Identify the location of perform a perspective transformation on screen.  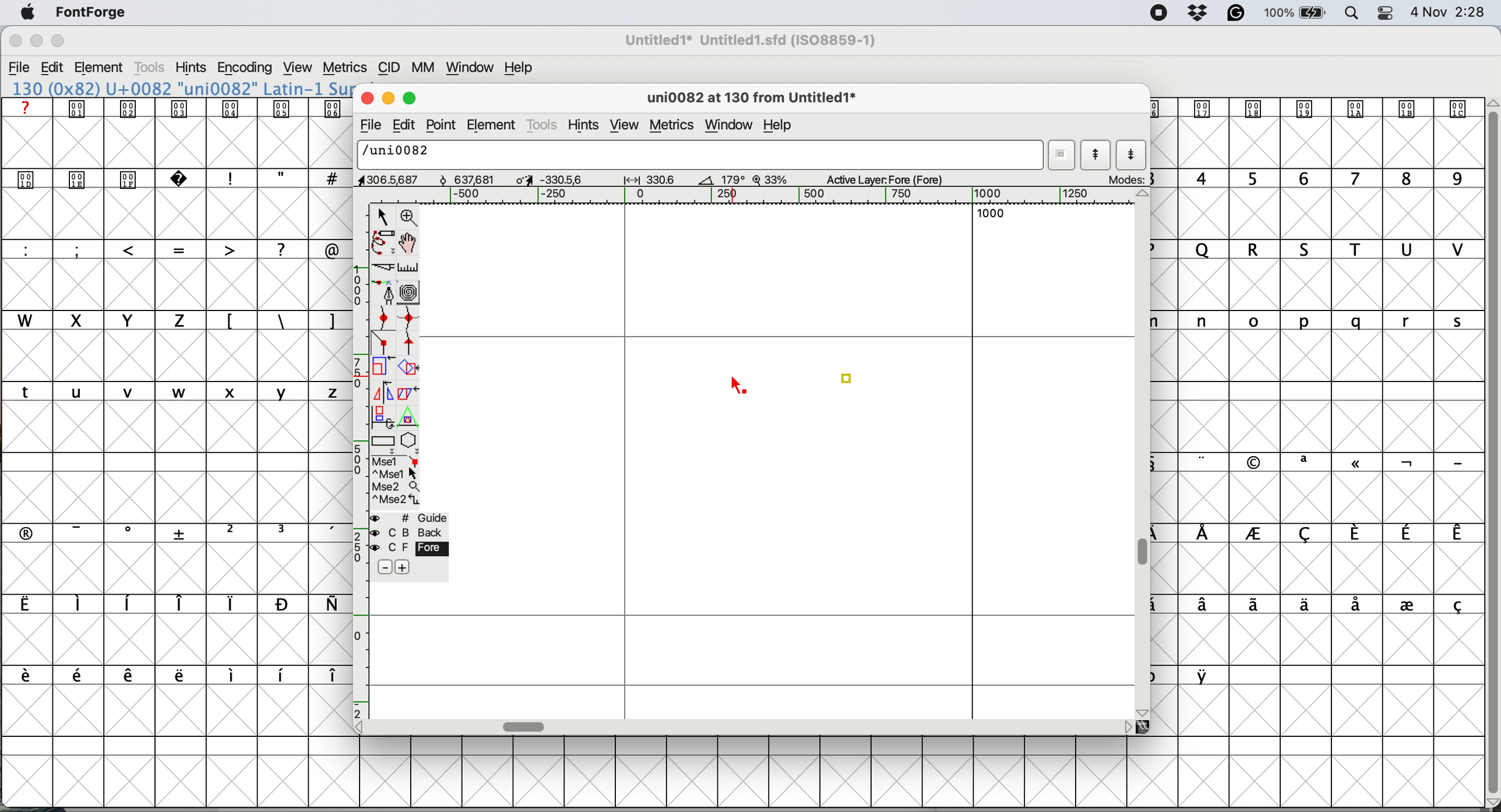
(410, 417).